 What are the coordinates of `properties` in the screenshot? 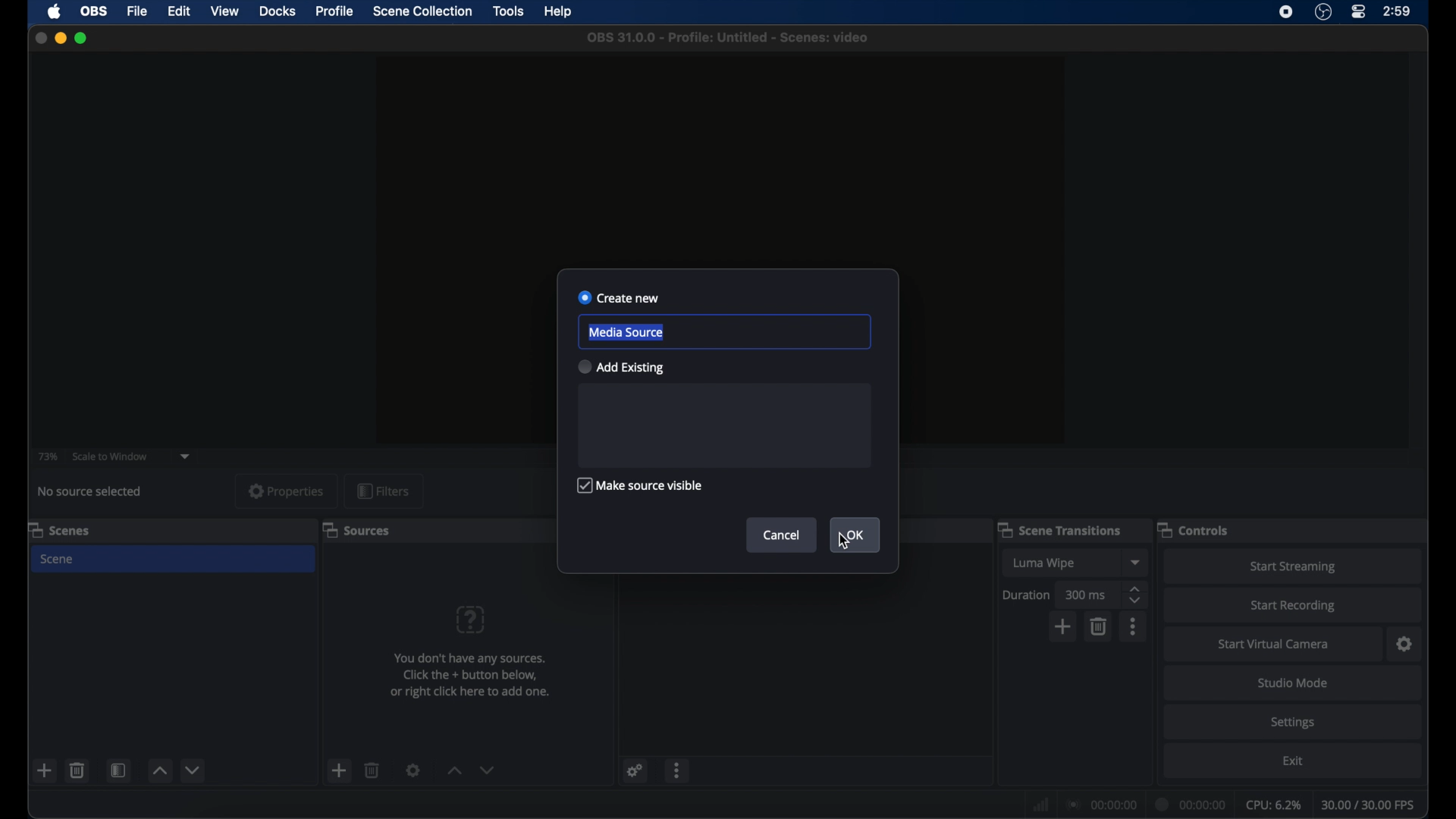 It's located at (286, 491).